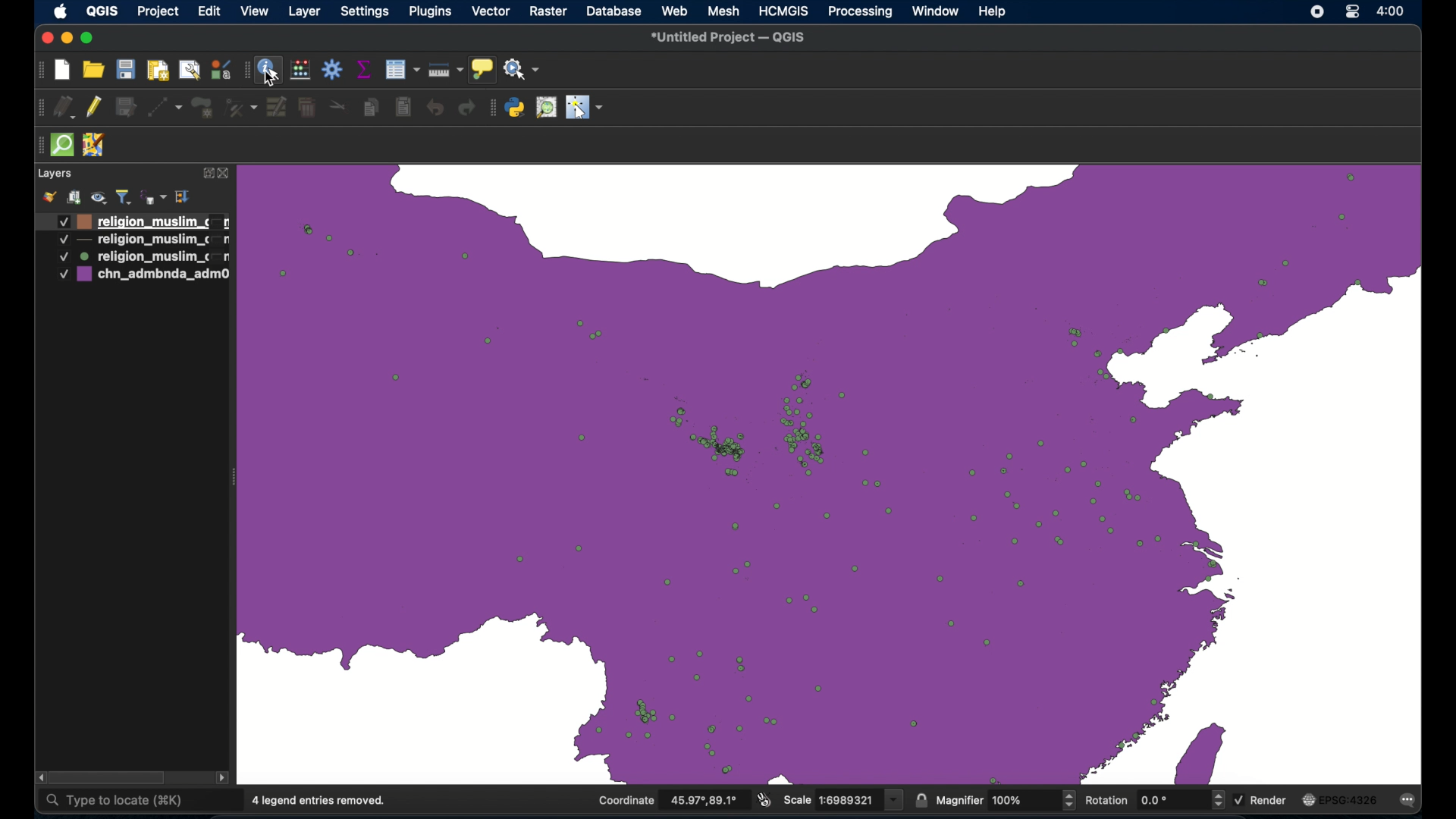 Image resolution: width=1456 pixels, height=819 pixels. I want to click on rotation, so click(1153, 799).